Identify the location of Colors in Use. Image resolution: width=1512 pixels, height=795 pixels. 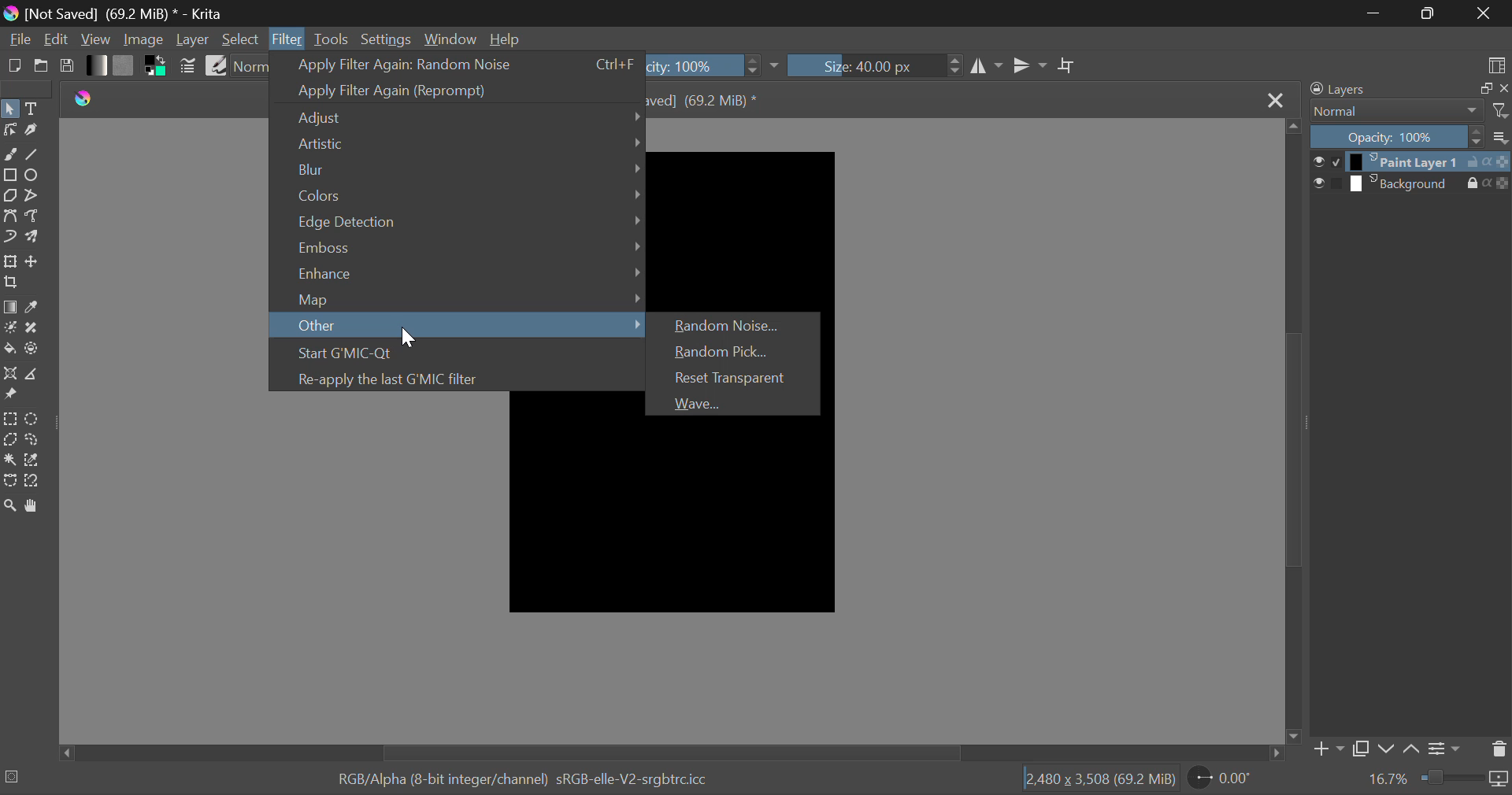
(157, 66).